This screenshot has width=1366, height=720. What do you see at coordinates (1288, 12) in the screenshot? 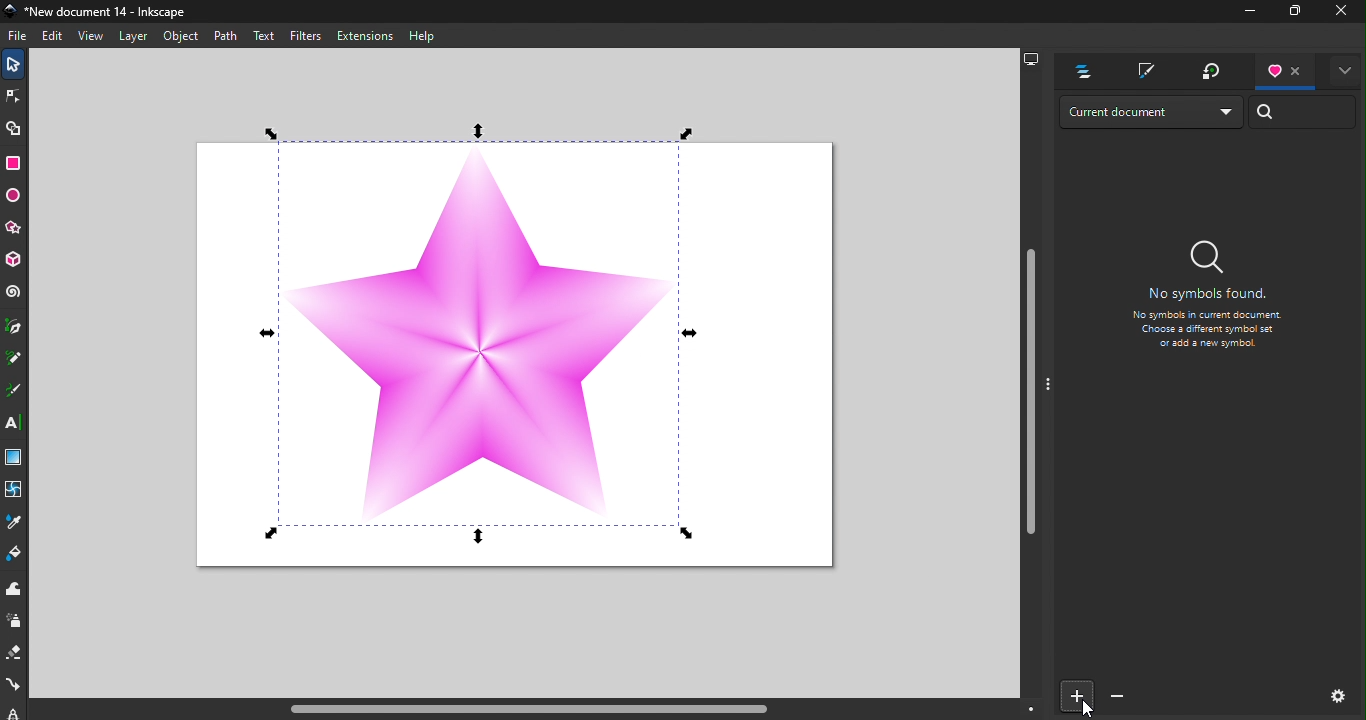
I see `Maximize` at bounding box center [1288, 12].